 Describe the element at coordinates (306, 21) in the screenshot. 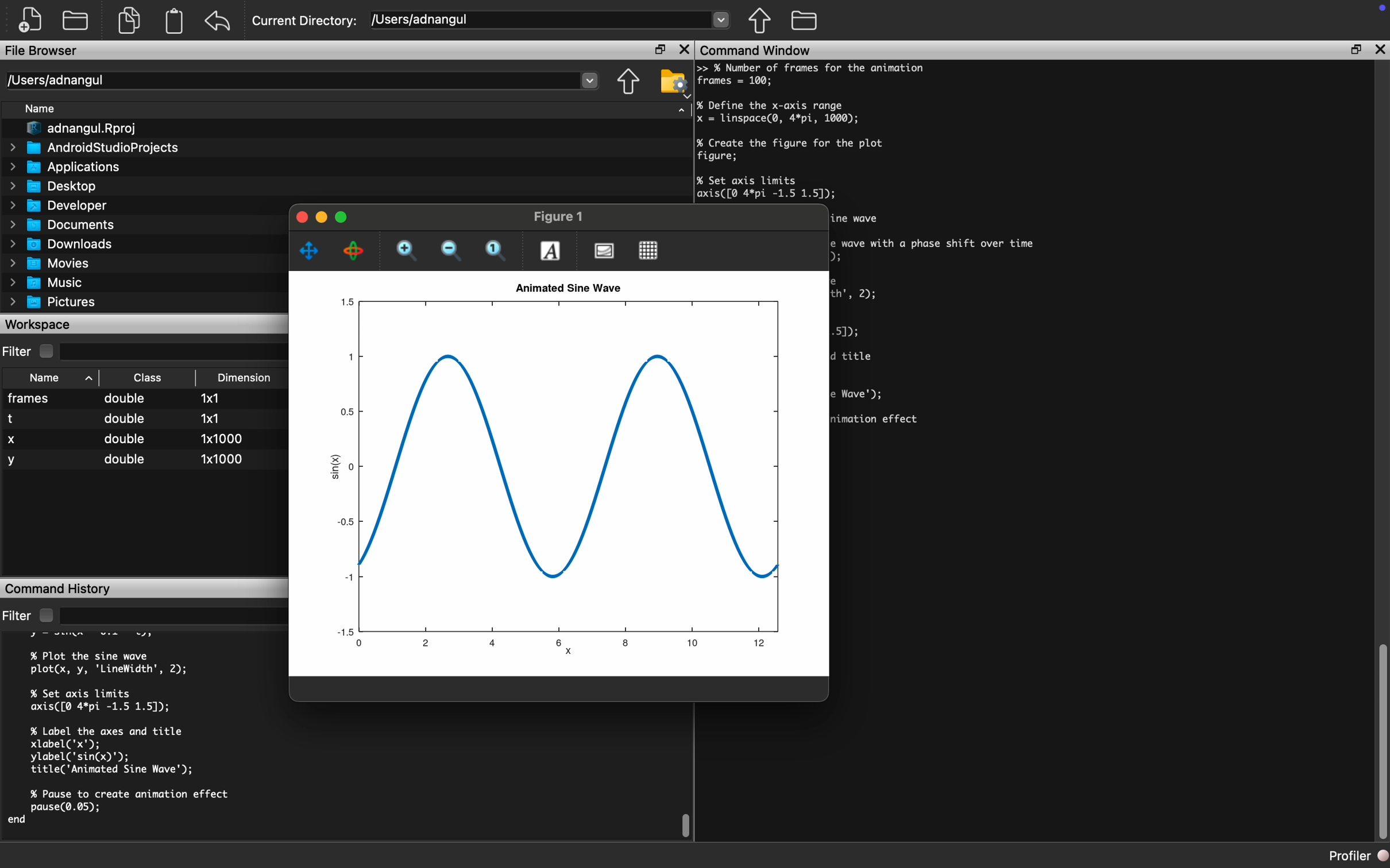

I see `Current Directory:` at that location.